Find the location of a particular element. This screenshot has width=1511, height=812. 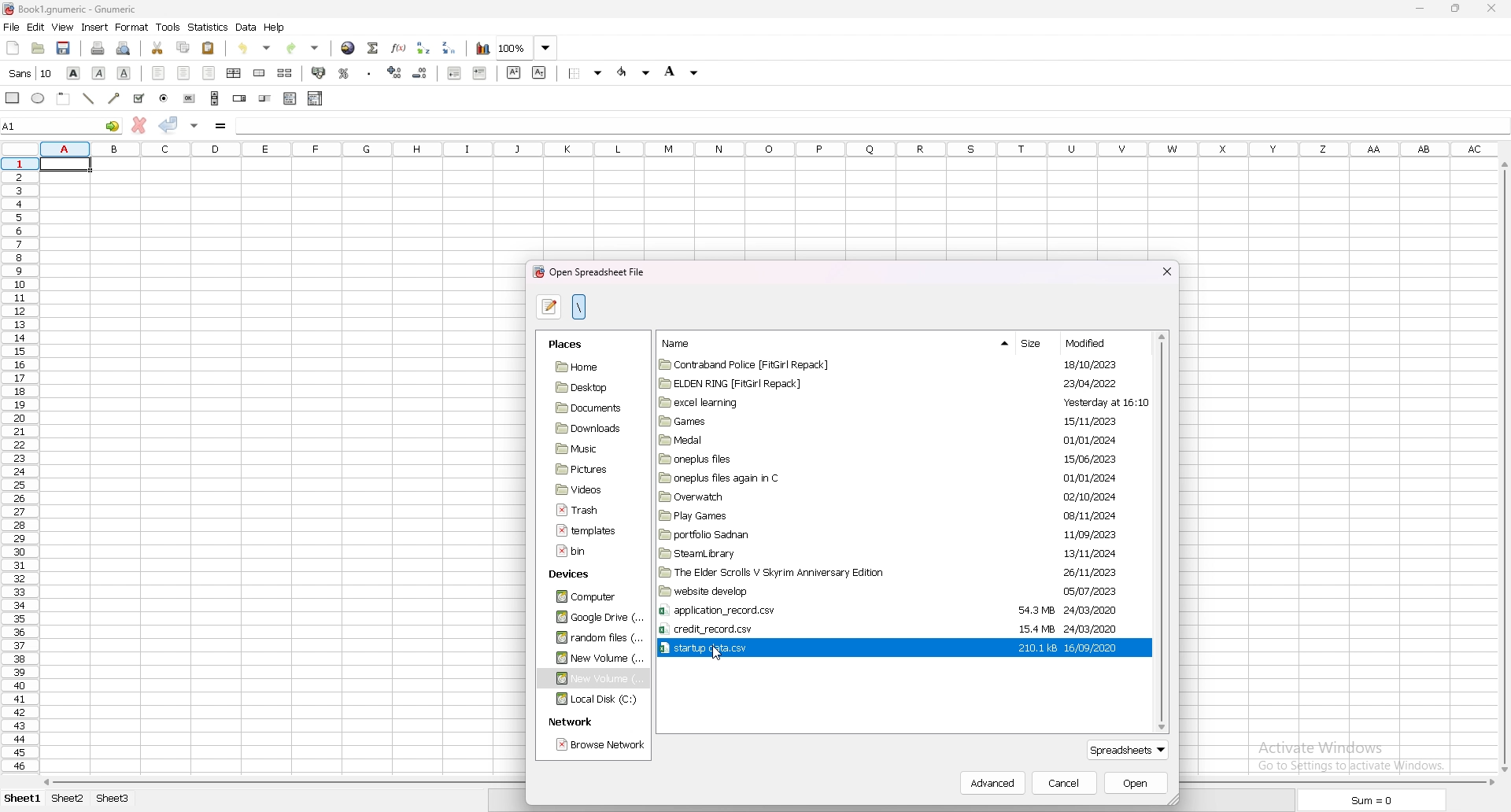

subscript is located at coordinates (538, 72).